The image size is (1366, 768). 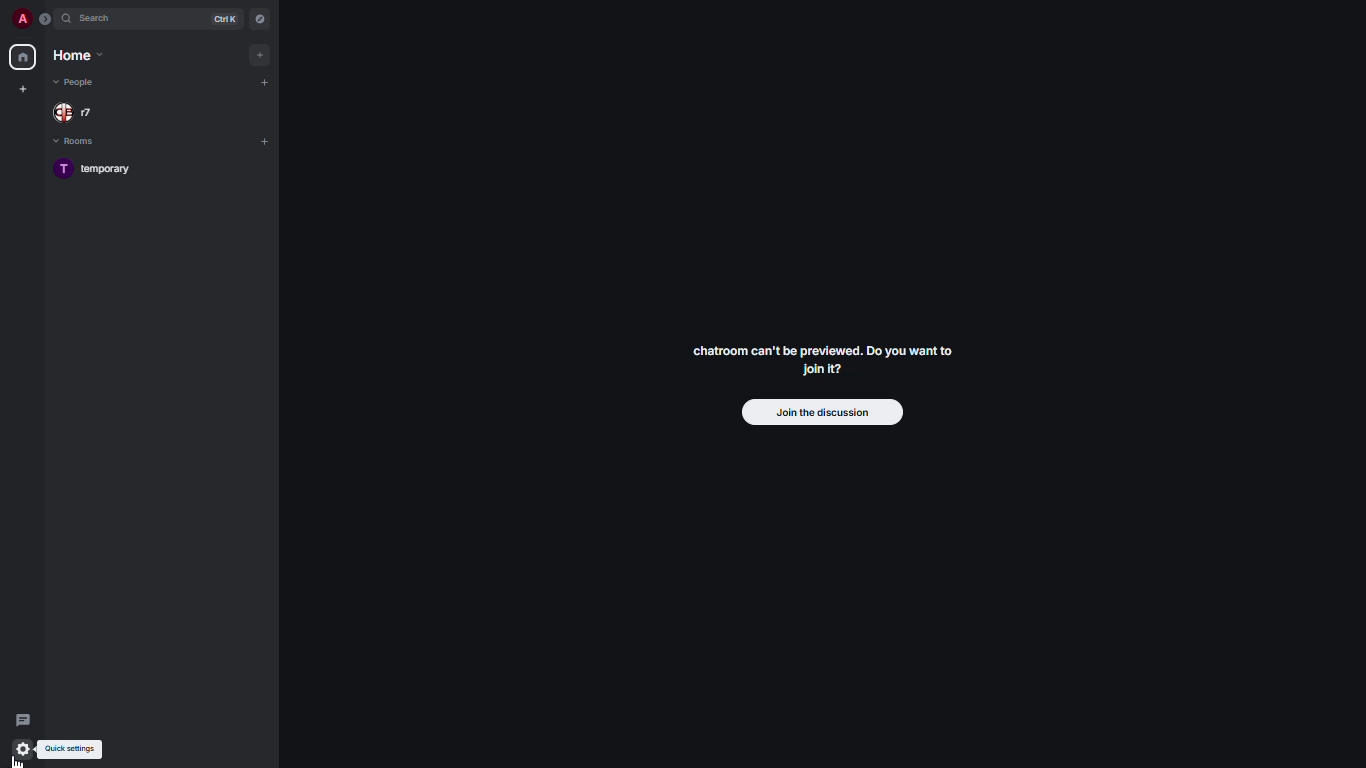 I want to click on people, so click(x=76, y=112).